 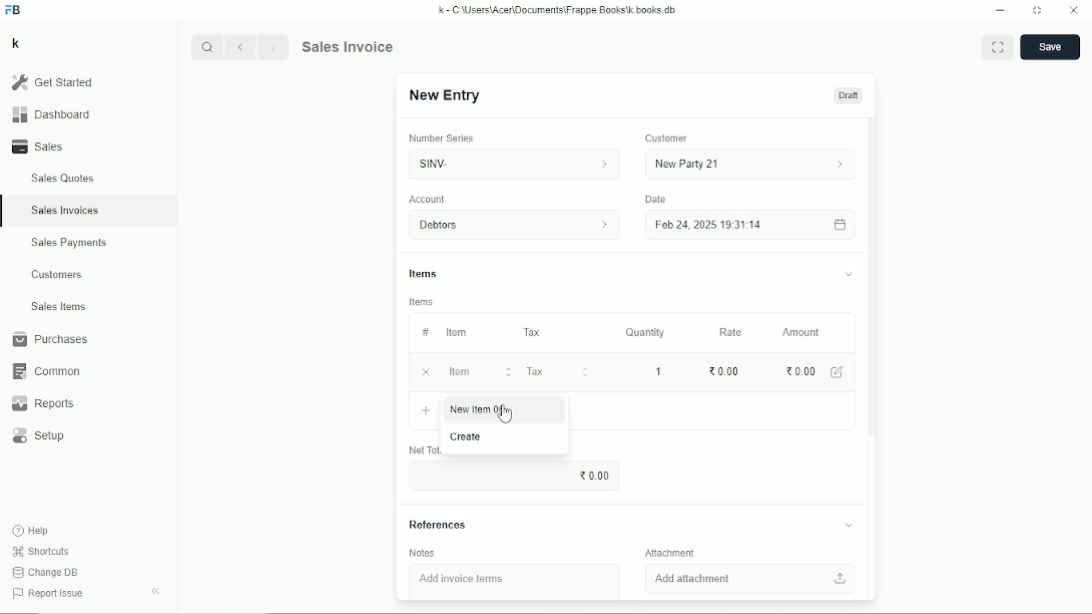 What do you see at coordinates (427, 372) in the screenshot?
I see `Cancel` at bounding box center [427, 372].